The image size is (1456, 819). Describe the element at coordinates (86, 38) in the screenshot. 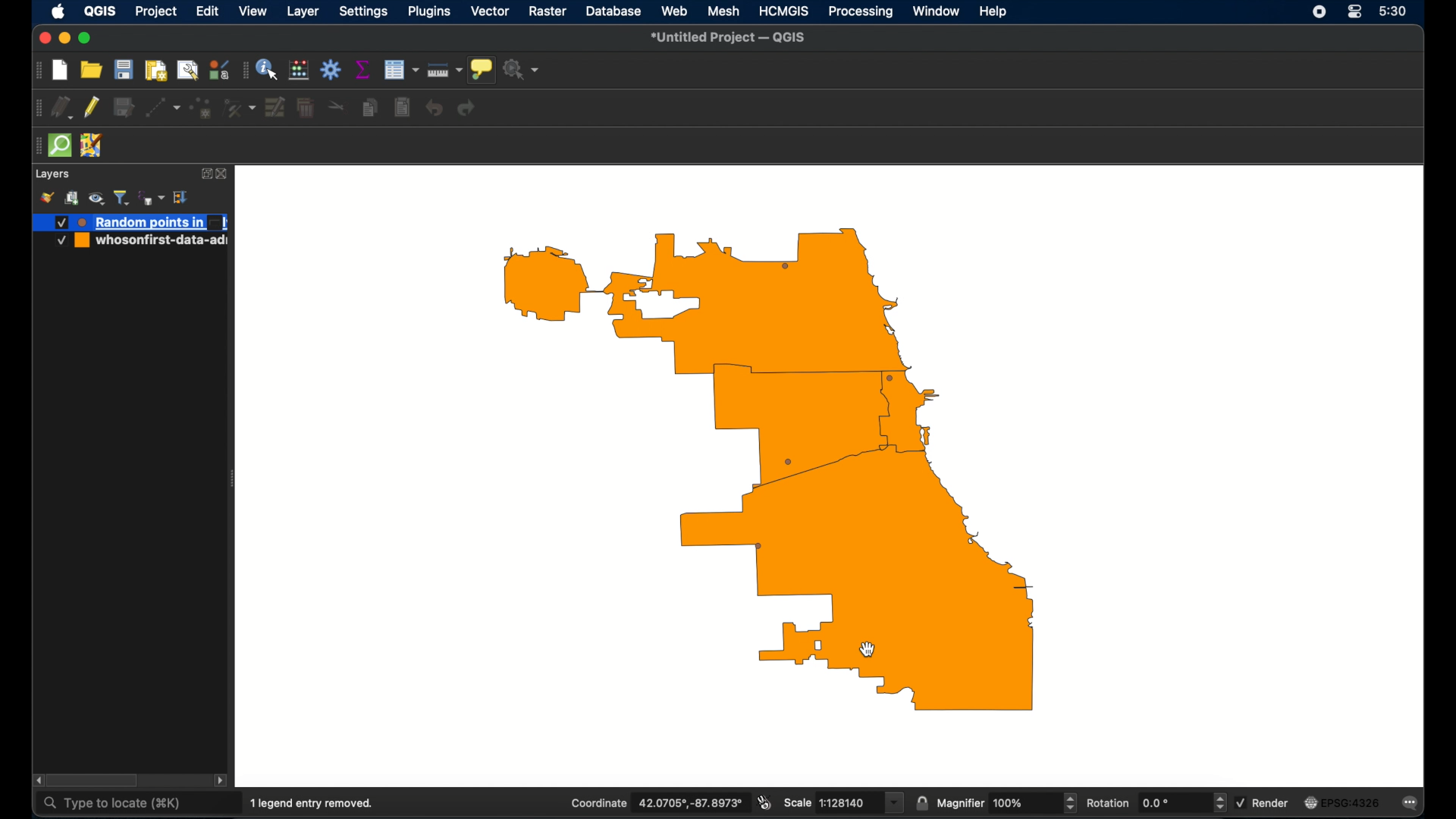

I see `maximize` at that location.